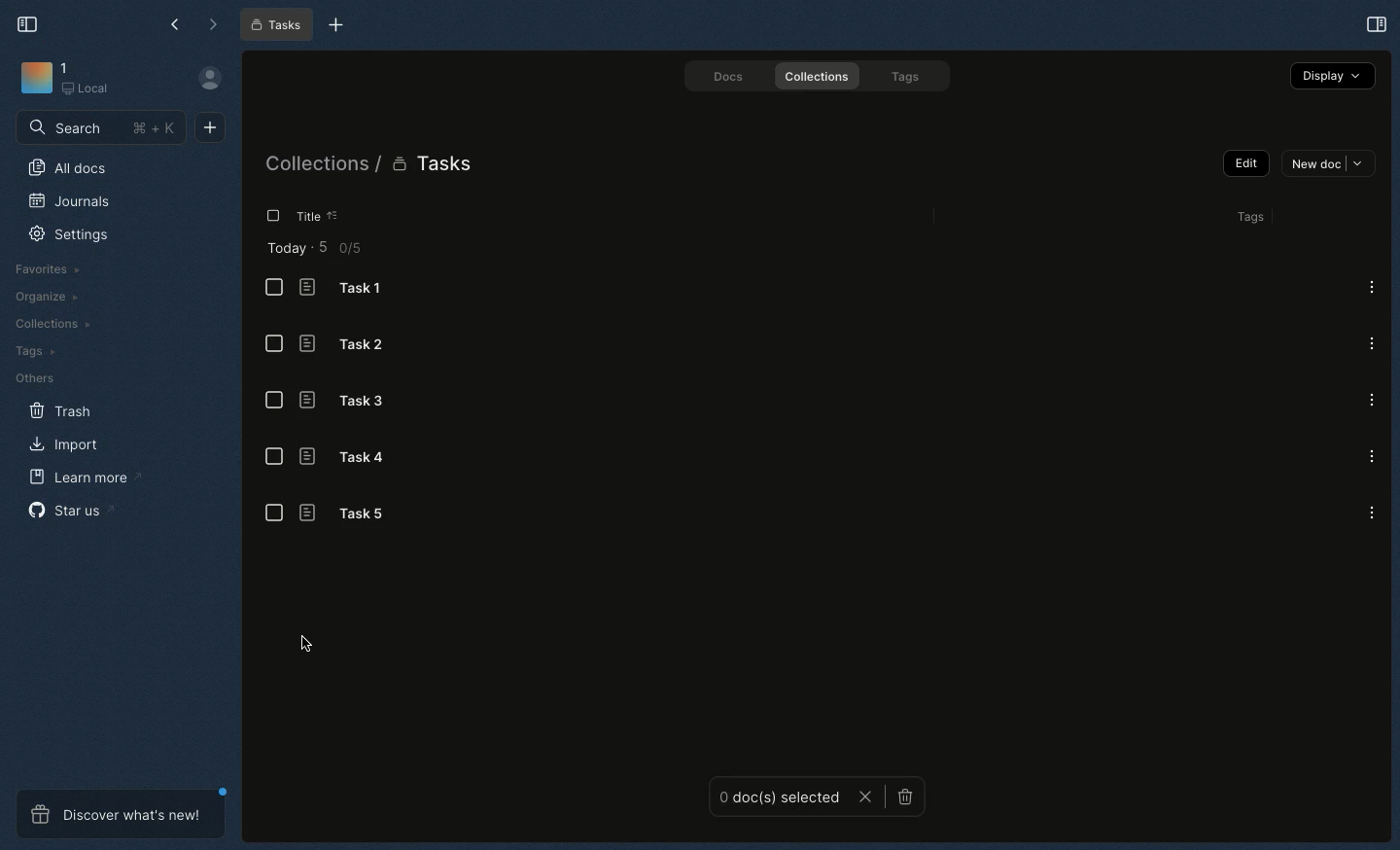 This screenshot has height=850, width=1400. I want to click on Import, so click(66, 445).